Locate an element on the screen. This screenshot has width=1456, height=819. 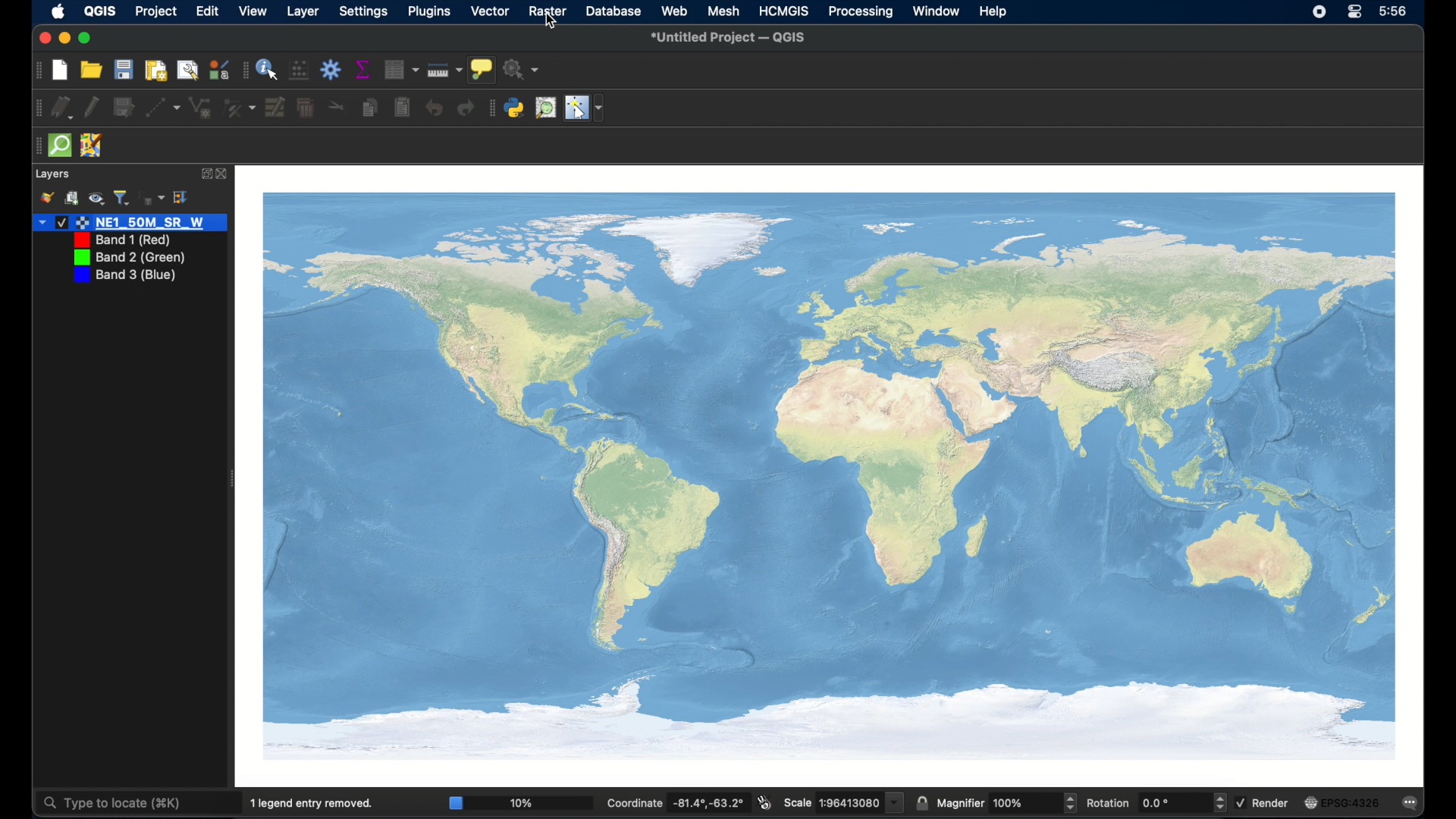
toggle extents and mouse display  position is located at coordinates (765, 802).